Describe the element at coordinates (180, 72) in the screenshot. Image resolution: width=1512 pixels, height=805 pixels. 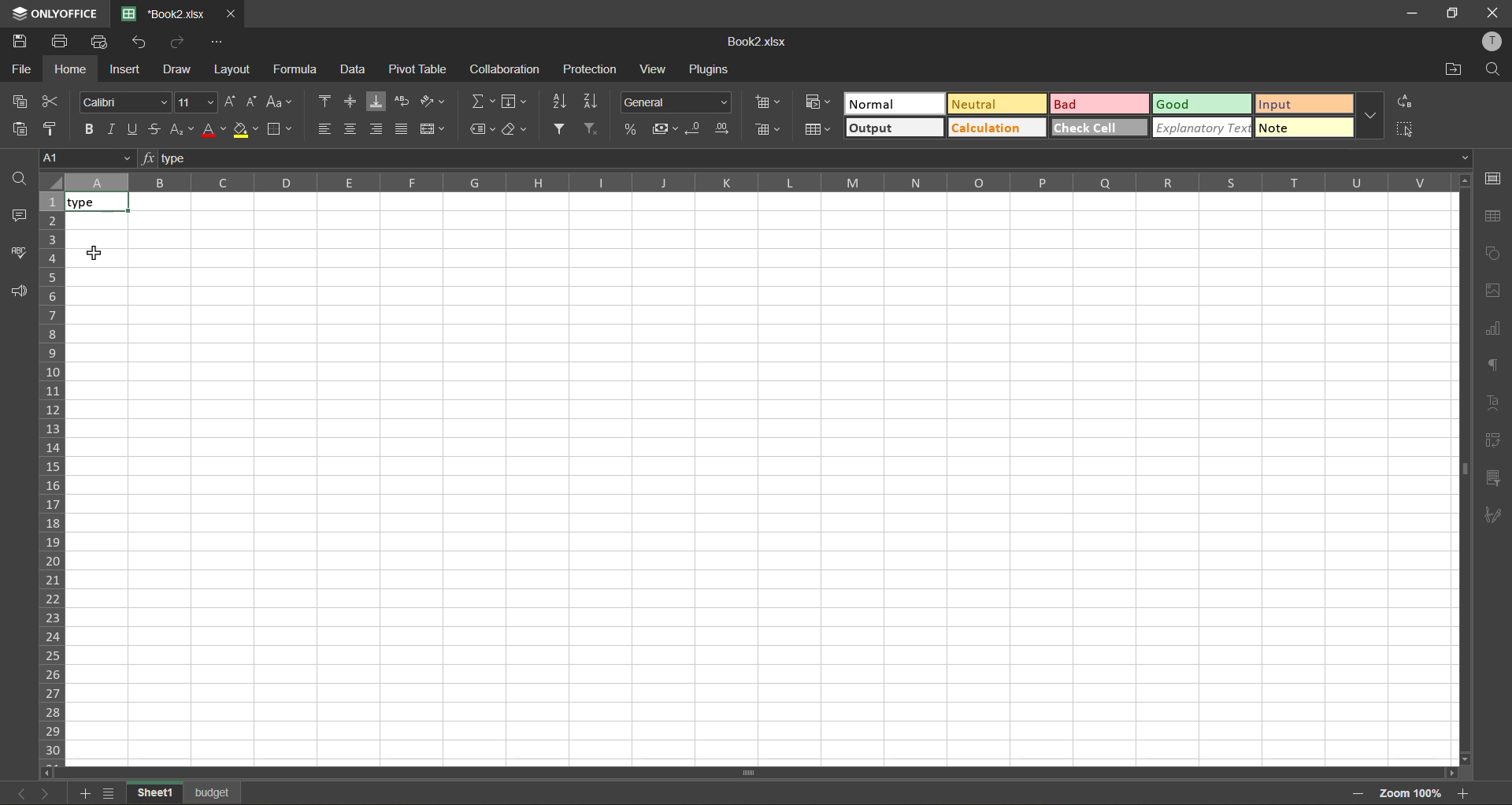
I see `draw` at that location.